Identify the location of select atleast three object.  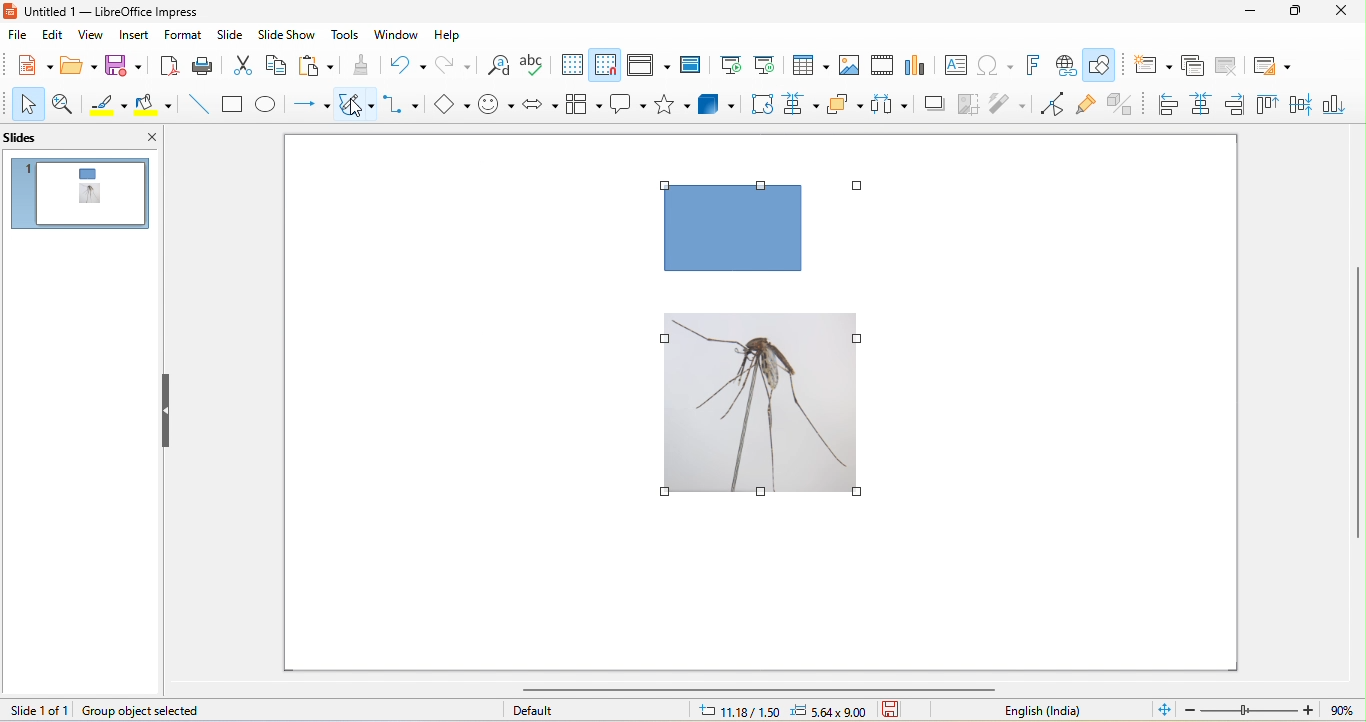
(890, 105).